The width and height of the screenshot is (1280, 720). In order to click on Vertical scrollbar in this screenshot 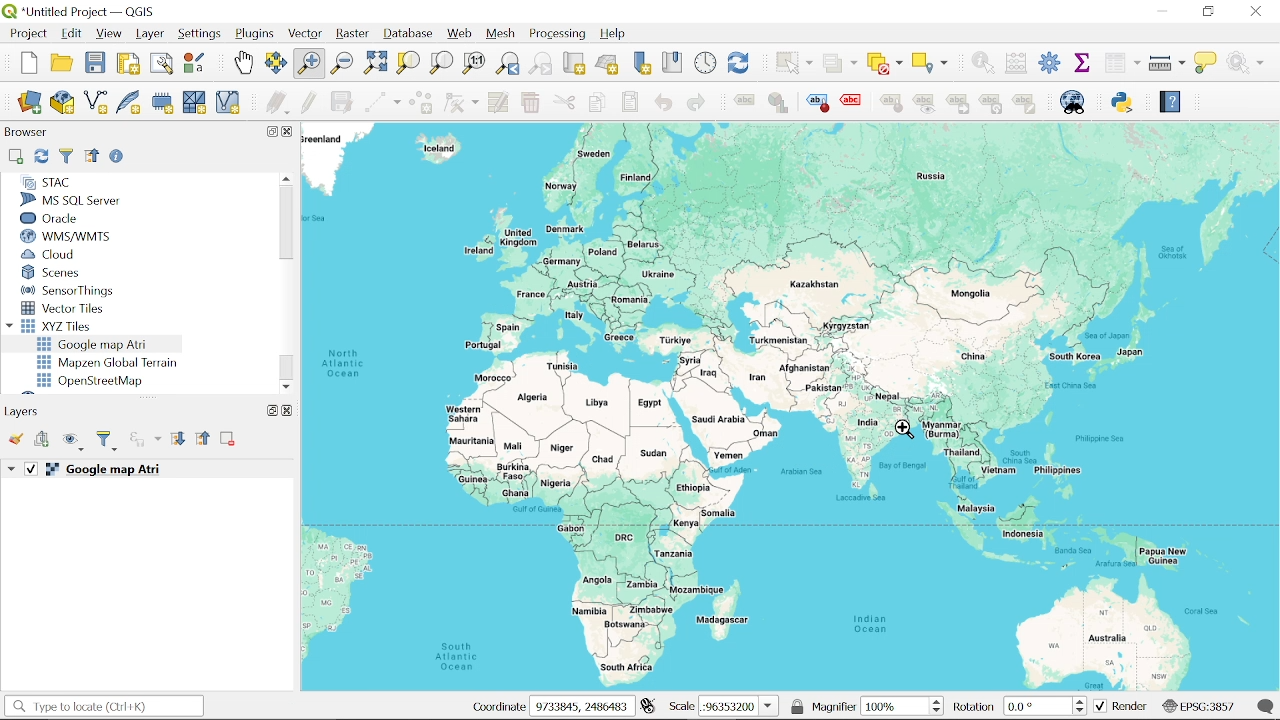, I will do `click(285, 224)`.